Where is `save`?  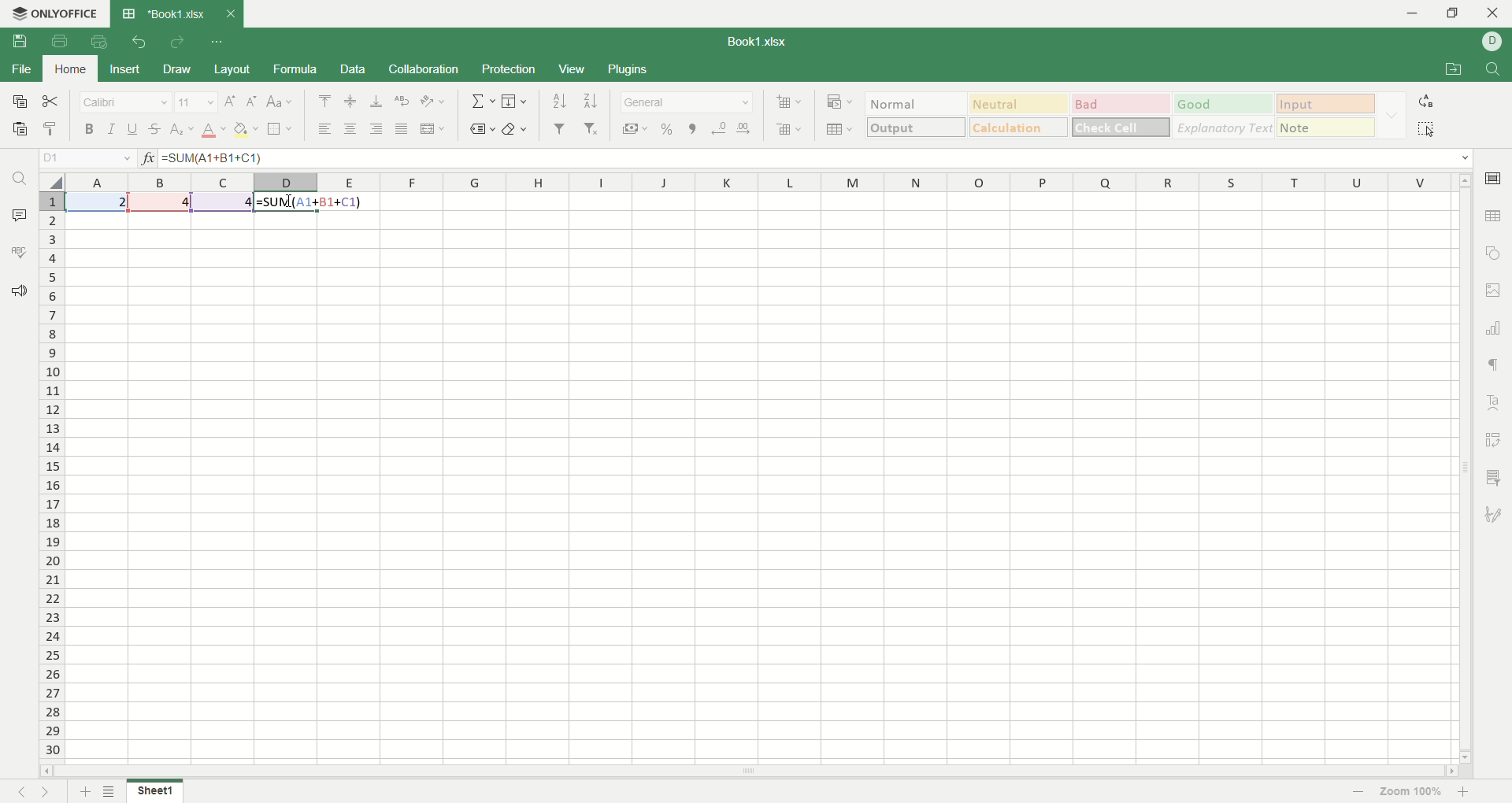
save is located at coordinates (20, 102).